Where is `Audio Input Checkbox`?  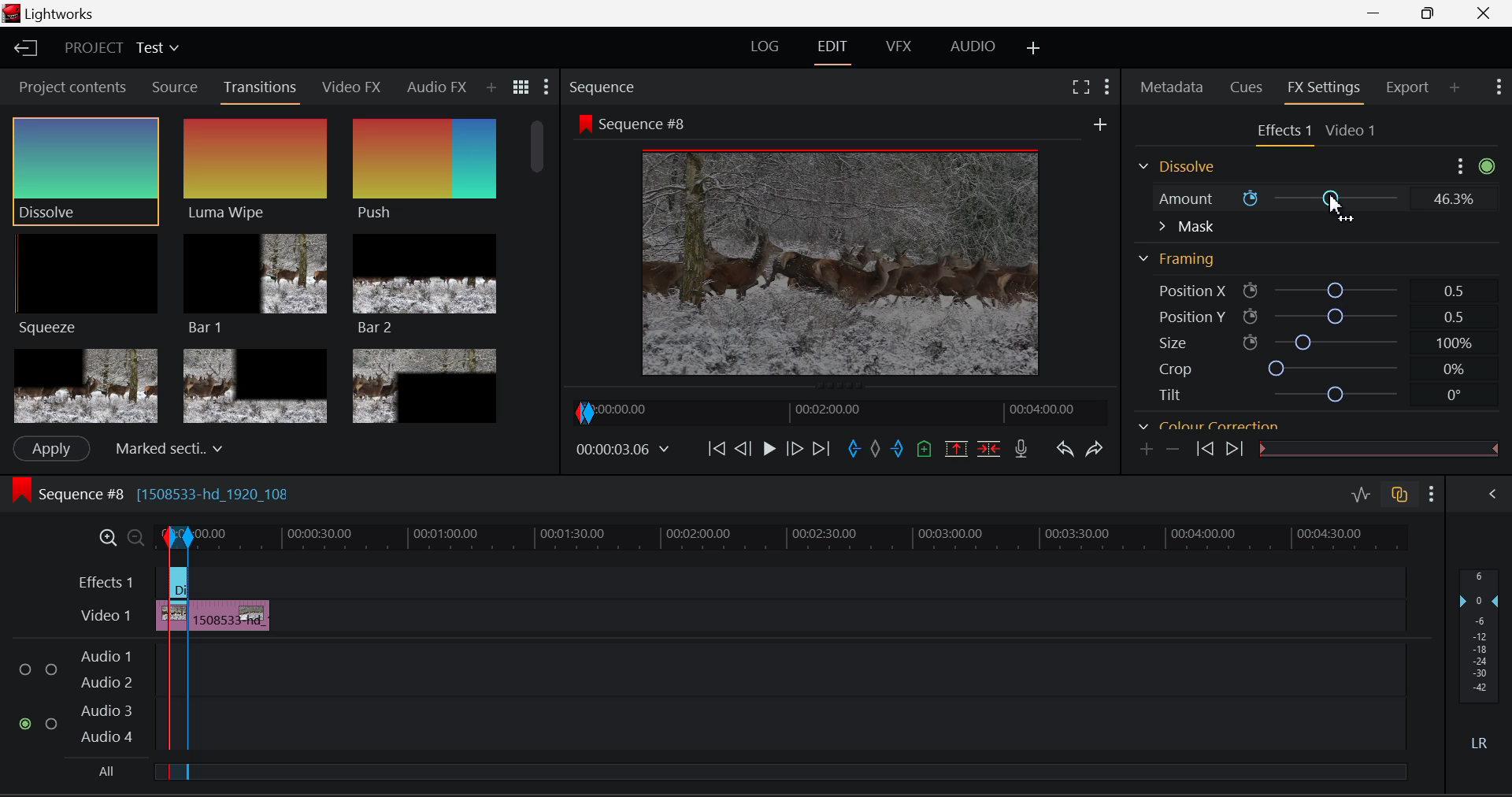 Audio Input Checkbox is located at coordinates (51, 664).